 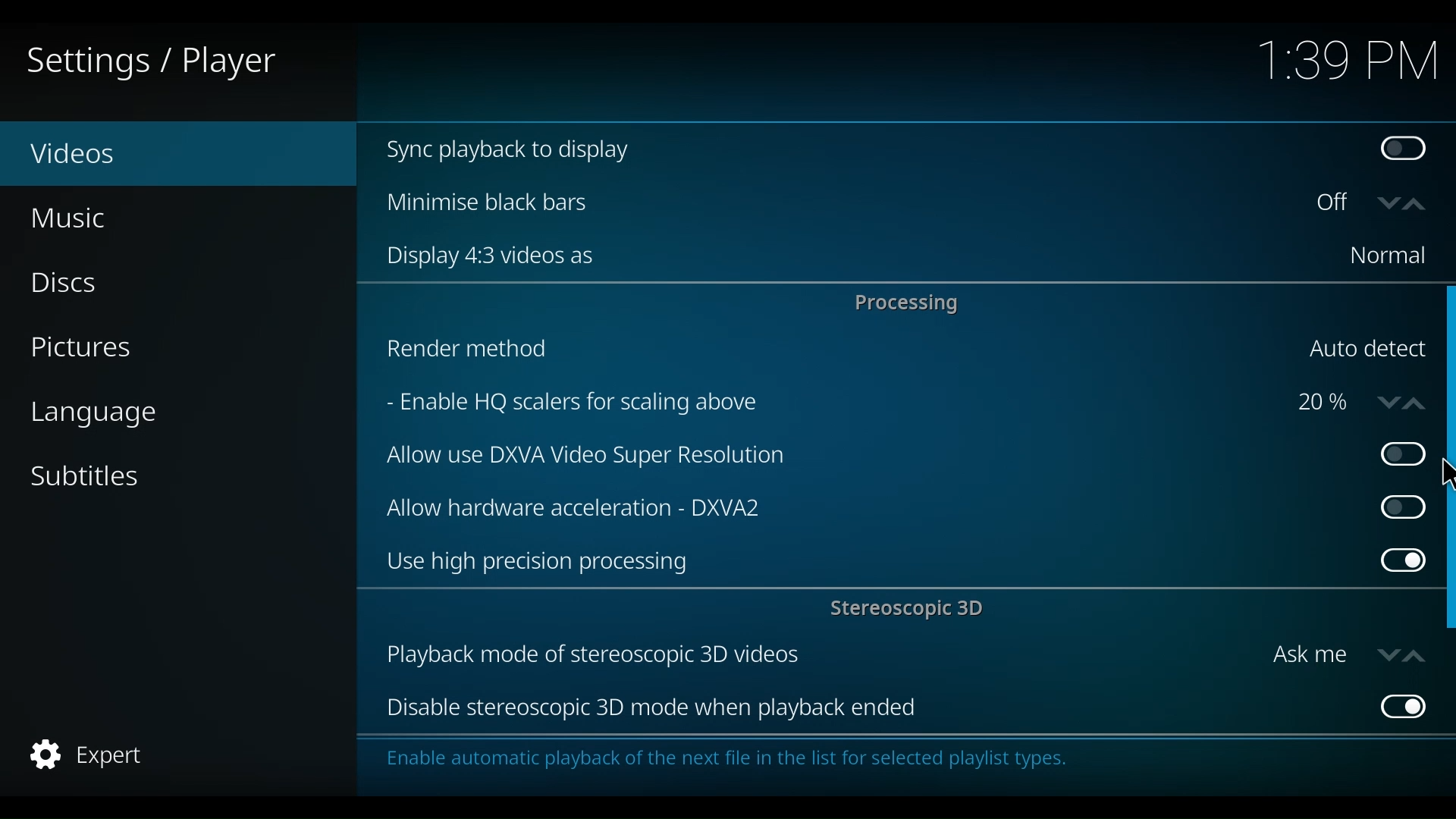 What do you see at coordinates (86, 475) in the screenshot?
I see `Subtitles` at bounding box center [86, 475].